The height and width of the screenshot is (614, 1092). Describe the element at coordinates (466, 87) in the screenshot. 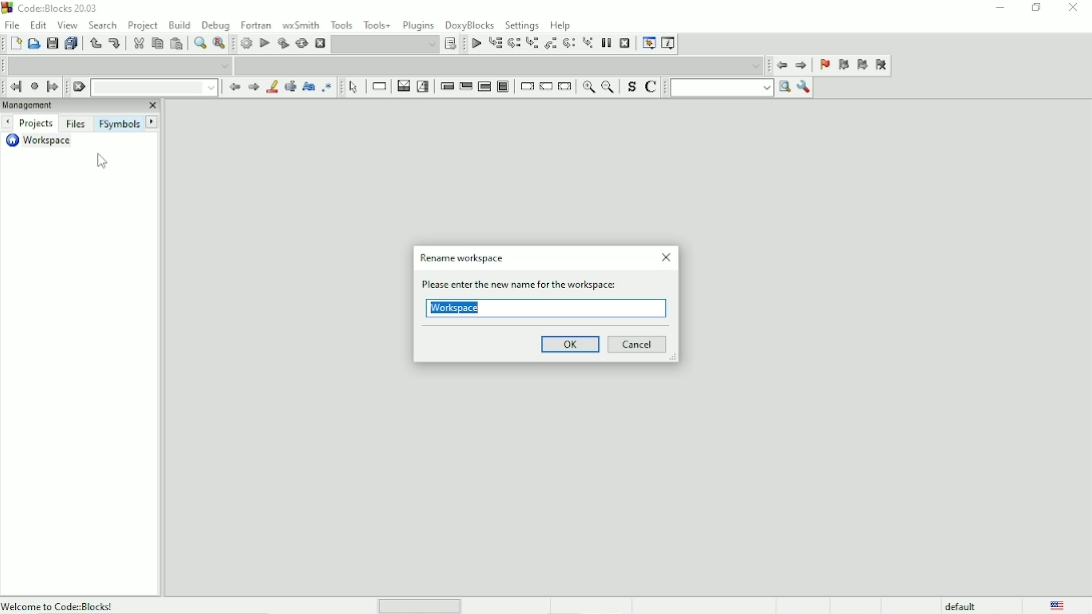

I see `Exit condition loop` at that location.